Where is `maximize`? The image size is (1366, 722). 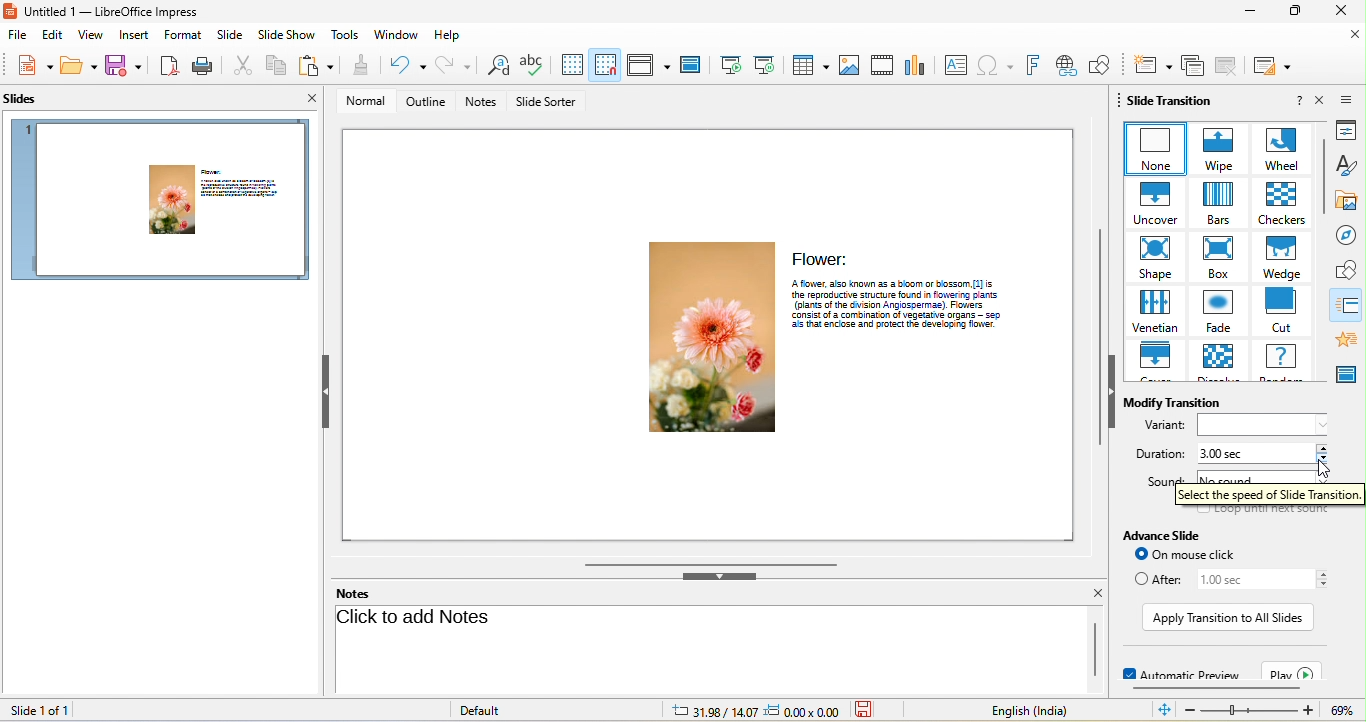
maximize is located at coordinates (1293, 12).